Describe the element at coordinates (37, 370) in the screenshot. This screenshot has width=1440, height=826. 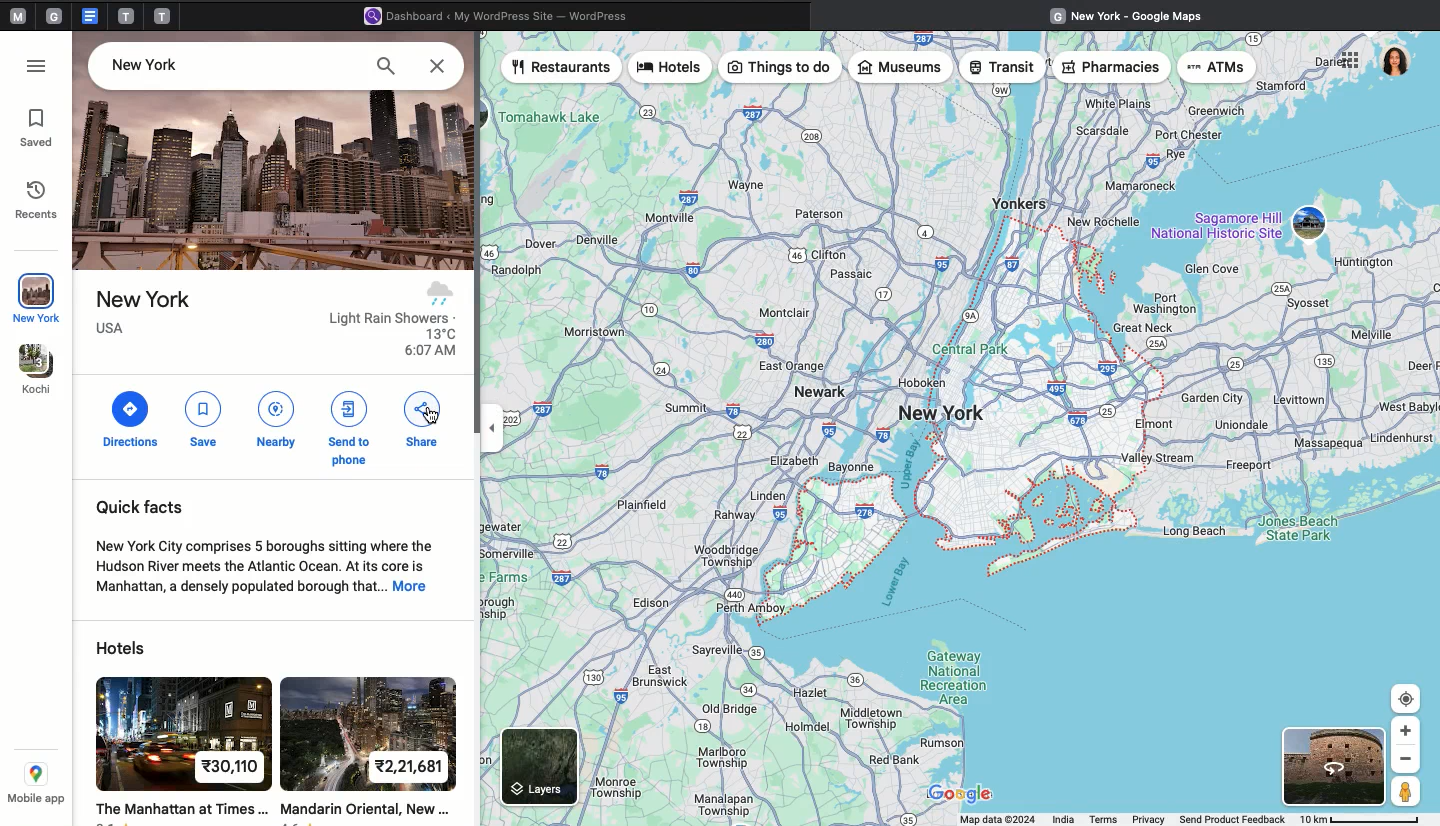
I see `Kochi` at that location.